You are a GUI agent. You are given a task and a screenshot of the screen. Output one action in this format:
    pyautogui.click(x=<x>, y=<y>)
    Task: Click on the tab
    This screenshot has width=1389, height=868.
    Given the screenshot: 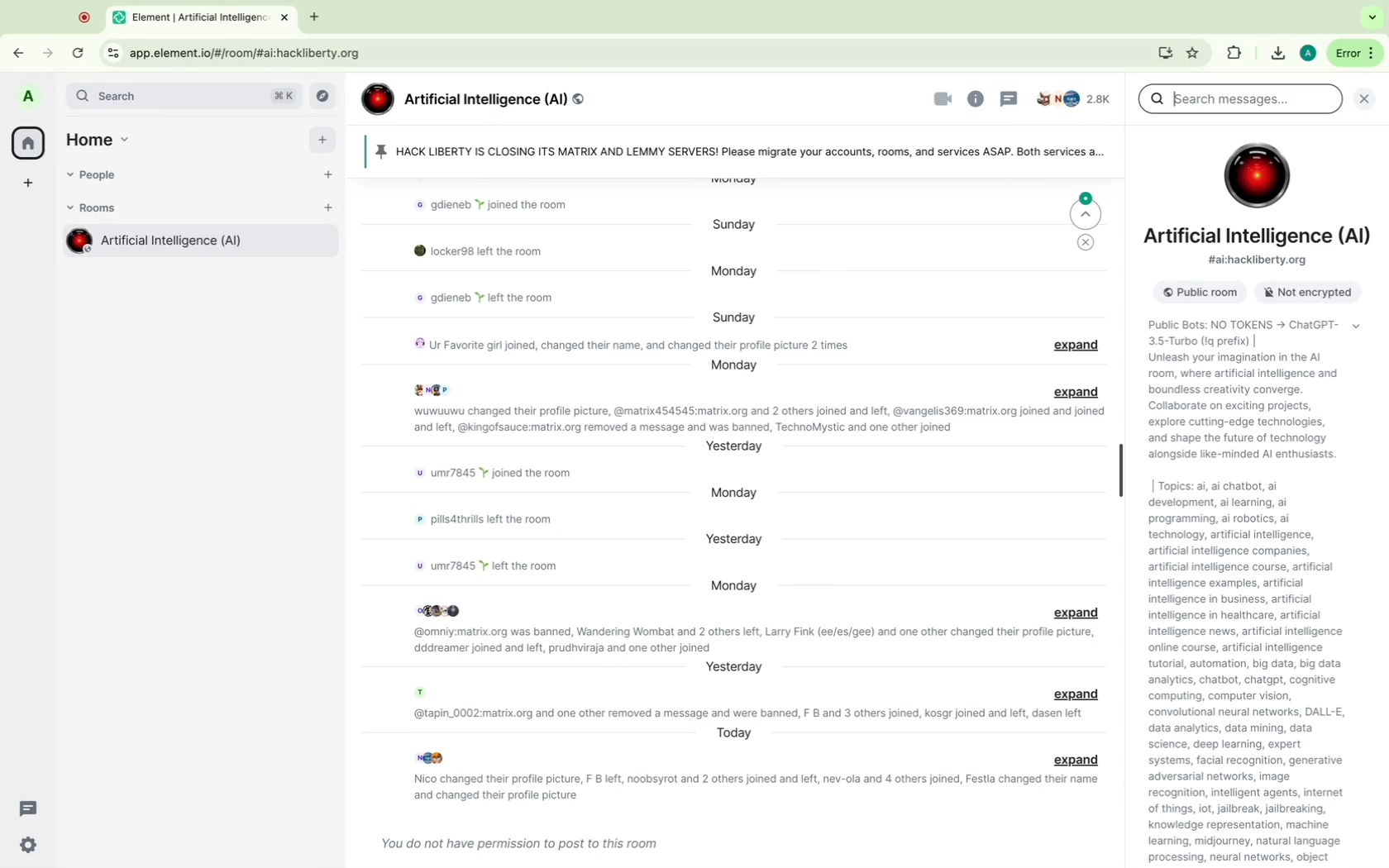 What is the action you would take?
    pyautogui.click(x=204, y=16)
    